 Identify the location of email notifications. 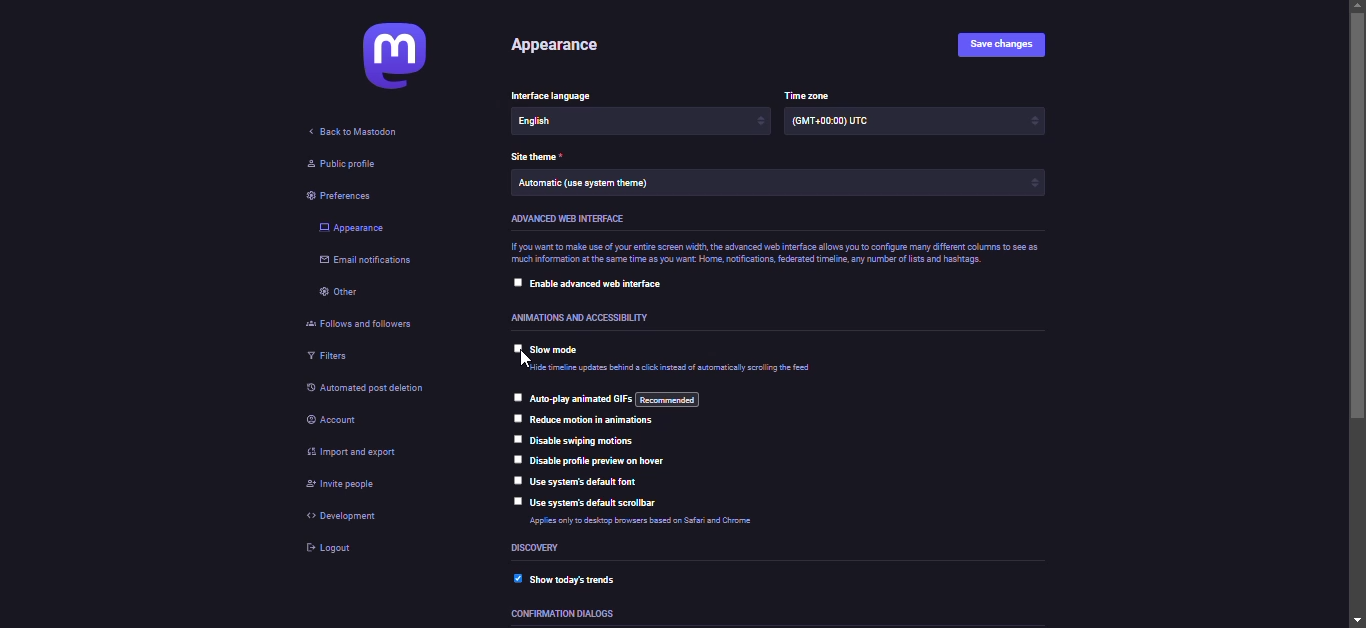
(368, 263).